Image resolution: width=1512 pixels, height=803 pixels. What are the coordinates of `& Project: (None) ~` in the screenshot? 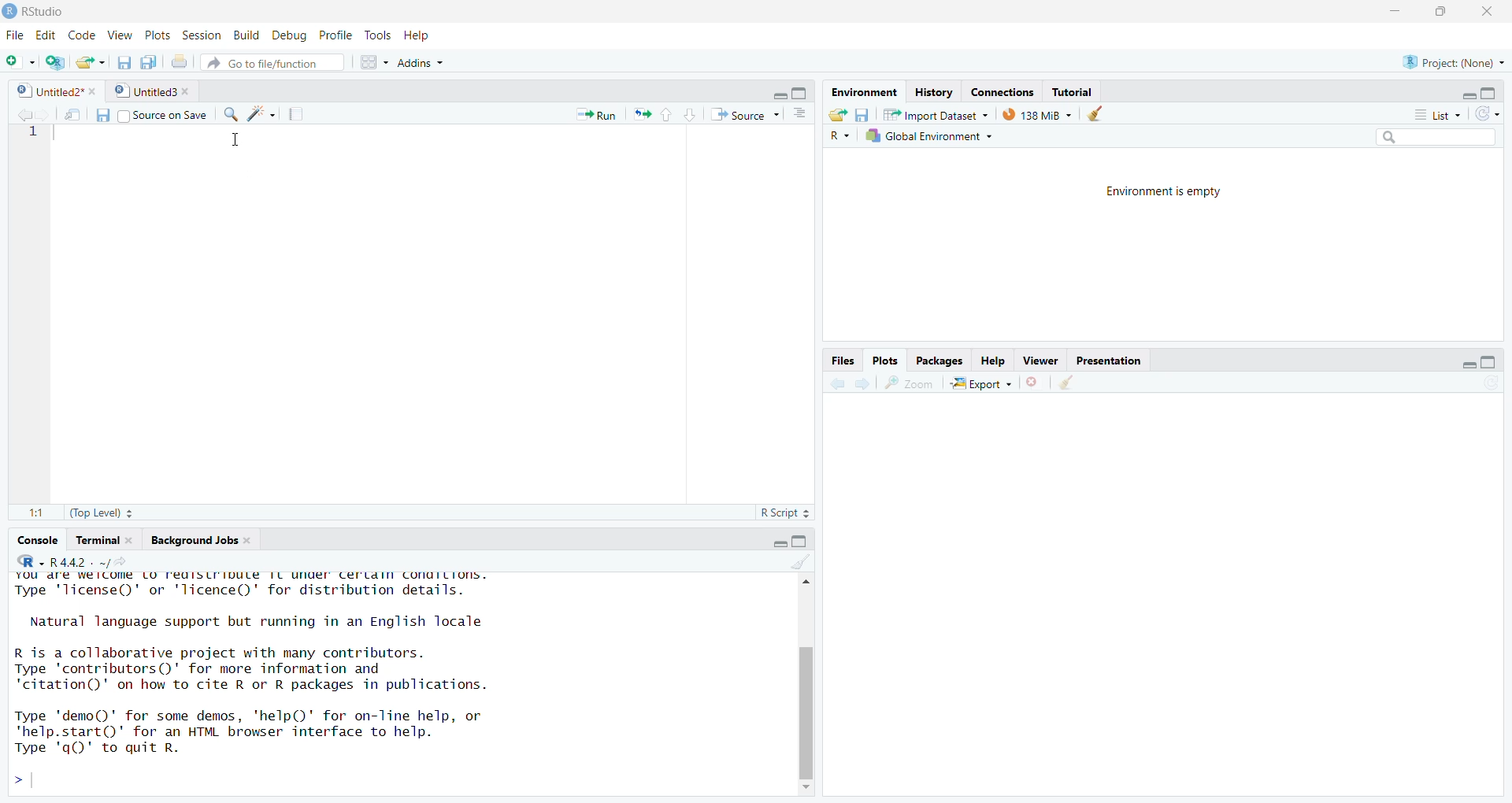 It's located at (1451, 58).